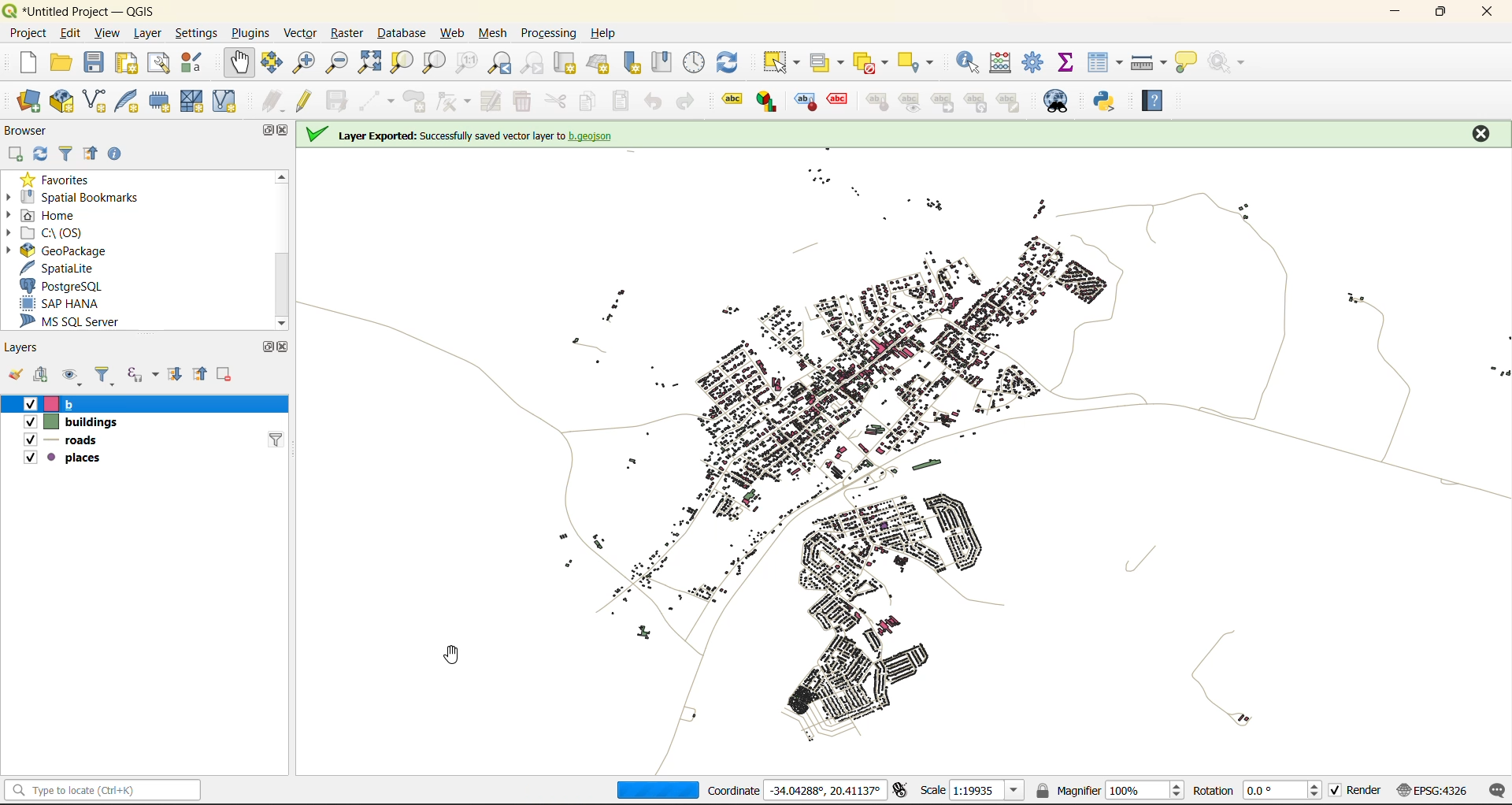  Describe the element at coordinates (656, 100) in the screenshot. I see `undo` at that location.